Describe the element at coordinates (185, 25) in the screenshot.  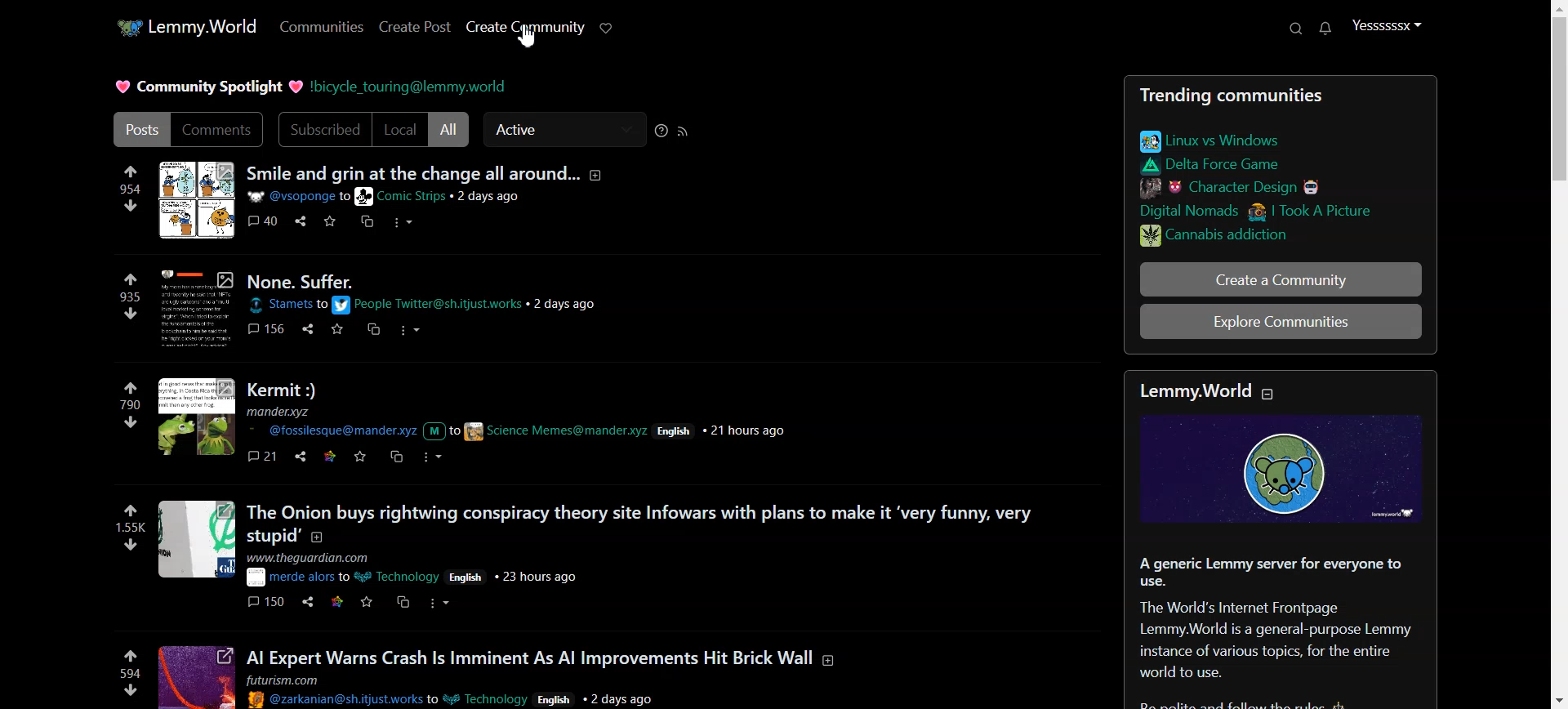
I see `Home window` at that location.